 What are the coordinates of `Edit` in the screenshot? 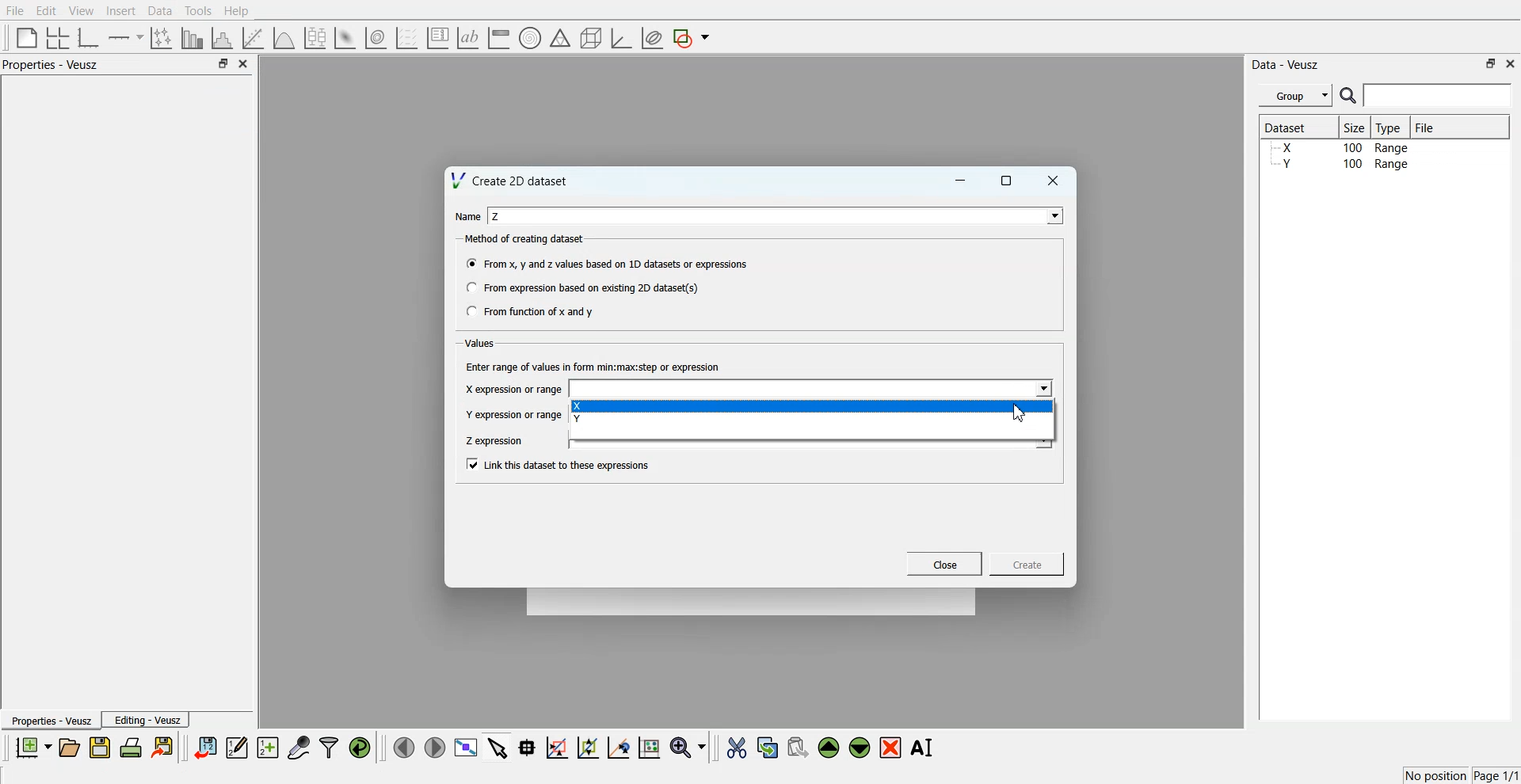 It's located at (45, 11).